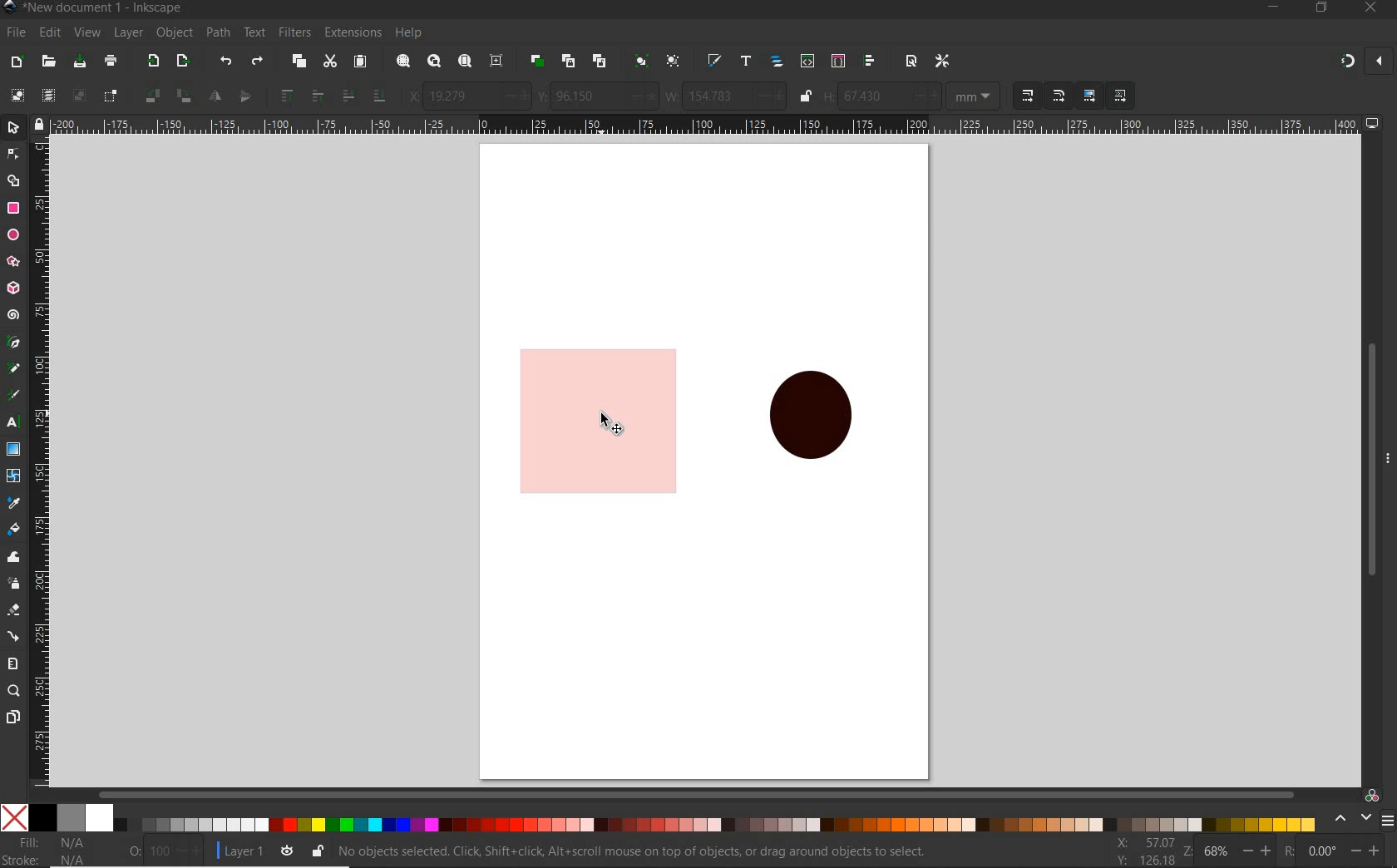 This screenshot has width=1397, height=868. Describe the element at coordinates (86, 31) in the screenshot. I see `view` at that location.